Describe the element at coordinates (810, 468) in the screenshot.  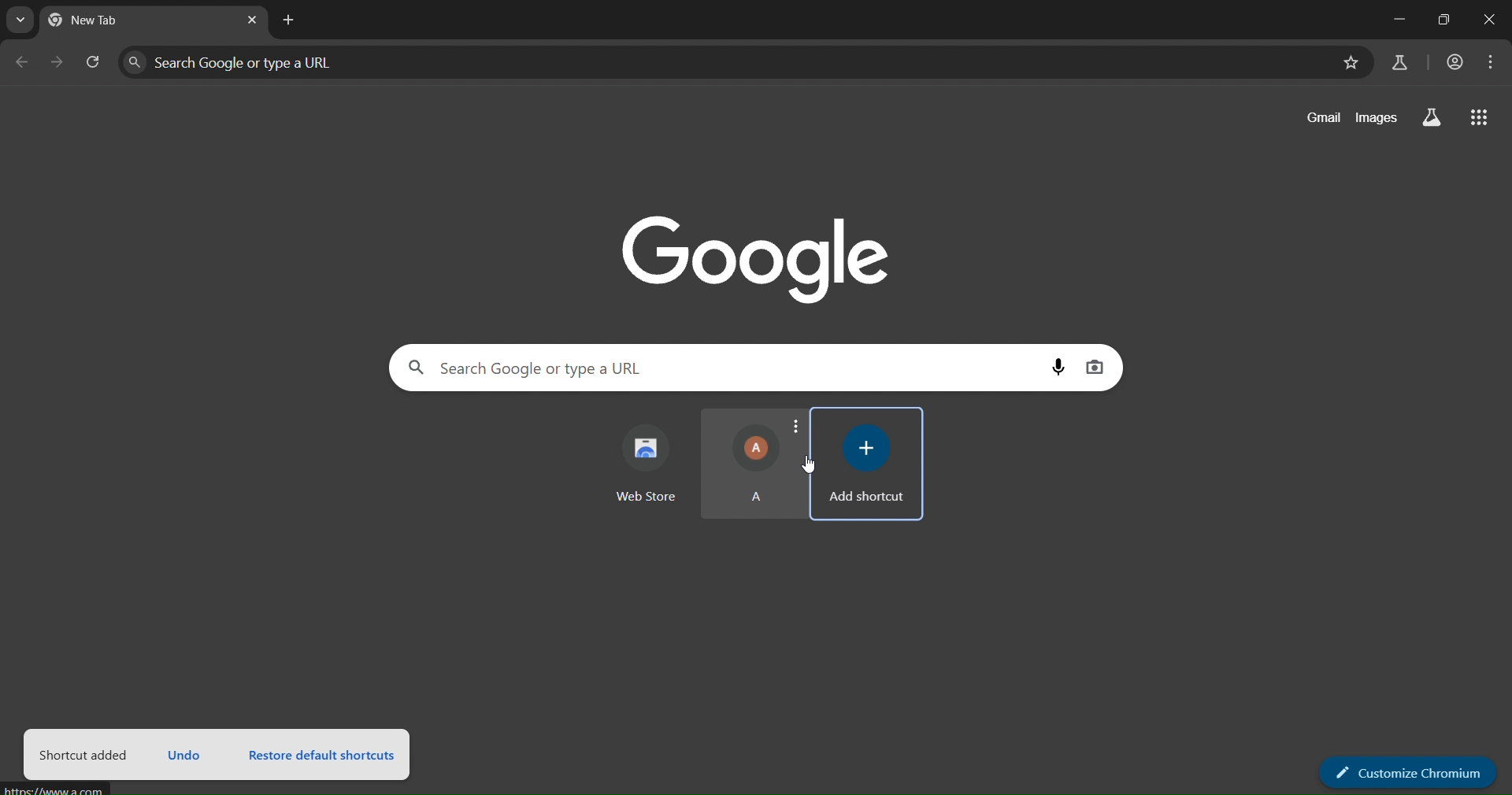
I see `cursor` at that location.